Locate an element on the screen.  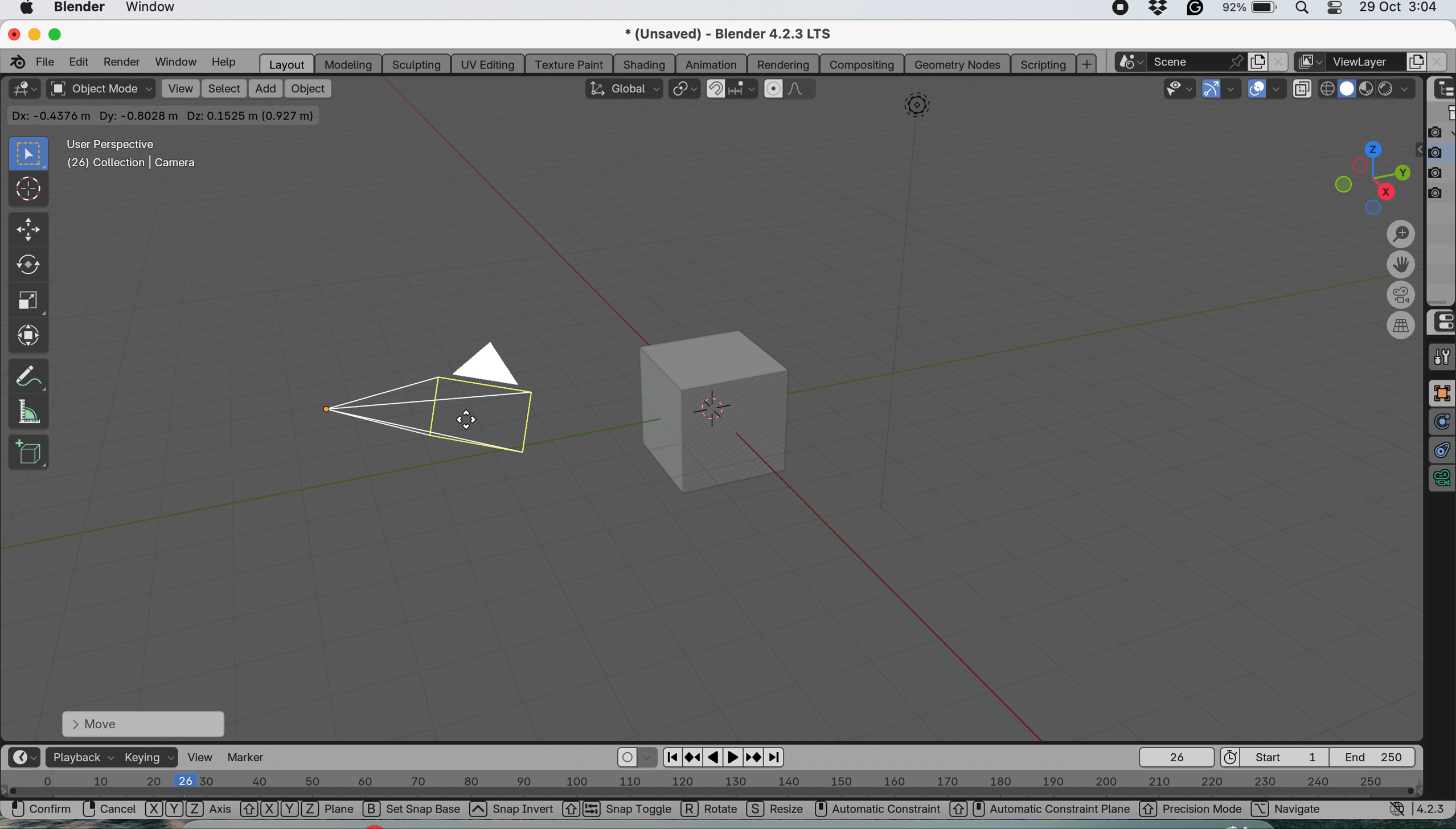
rotate is located at coordinates (26, 268).